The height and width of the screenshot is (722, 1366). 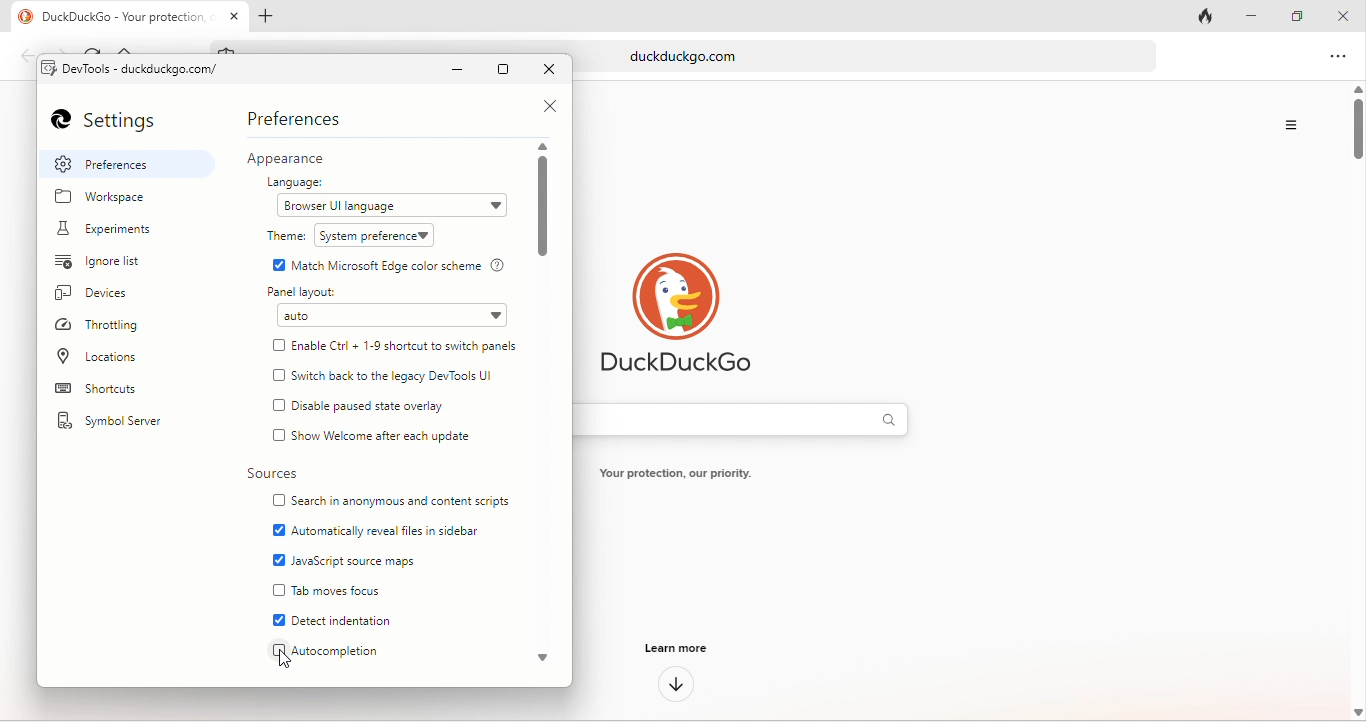 I want to click on checkbox, so click(x=276, y=650).